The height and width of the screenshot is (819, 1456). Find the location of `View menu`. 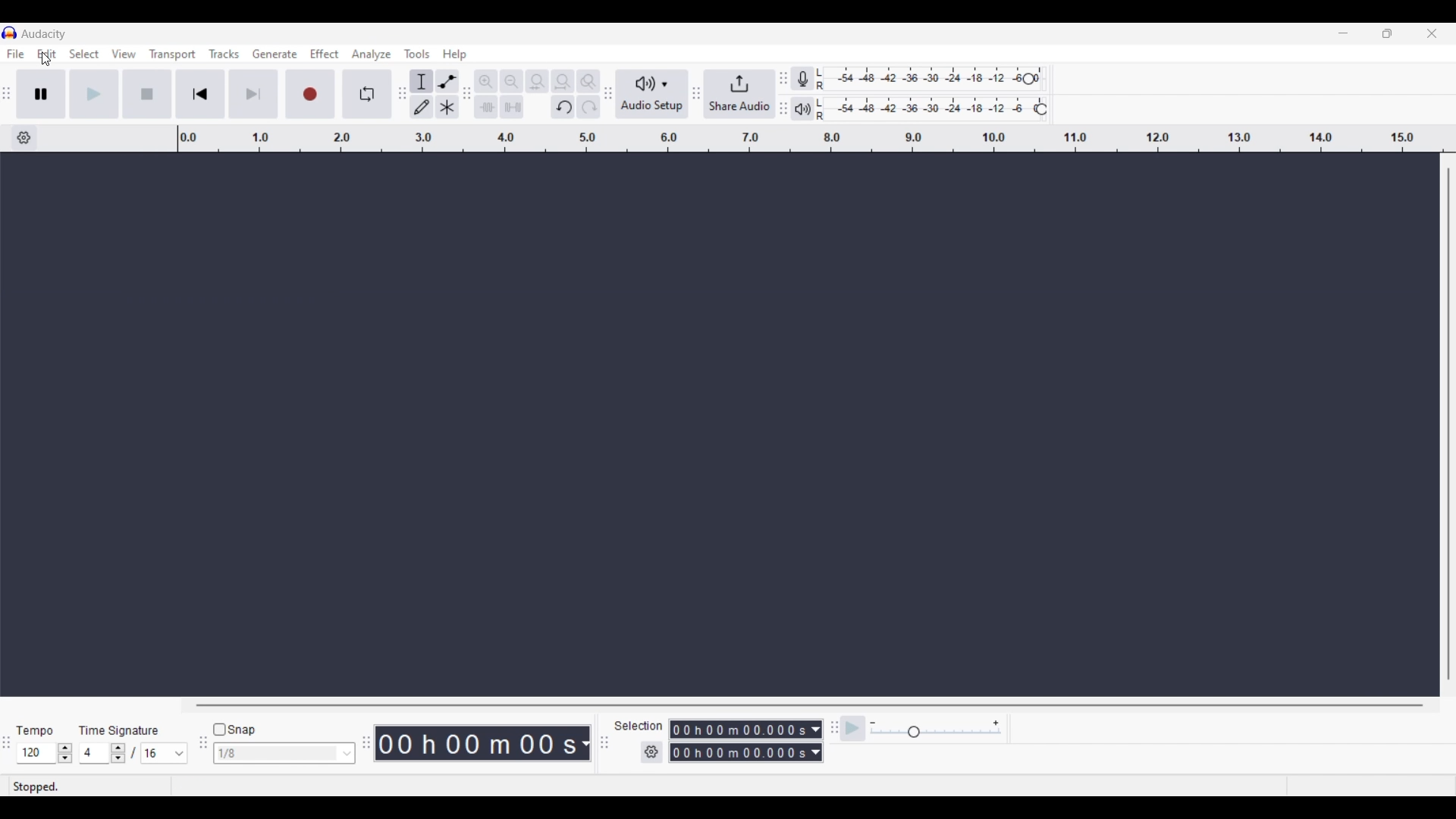

View menu is located at coordinates (124, 54).